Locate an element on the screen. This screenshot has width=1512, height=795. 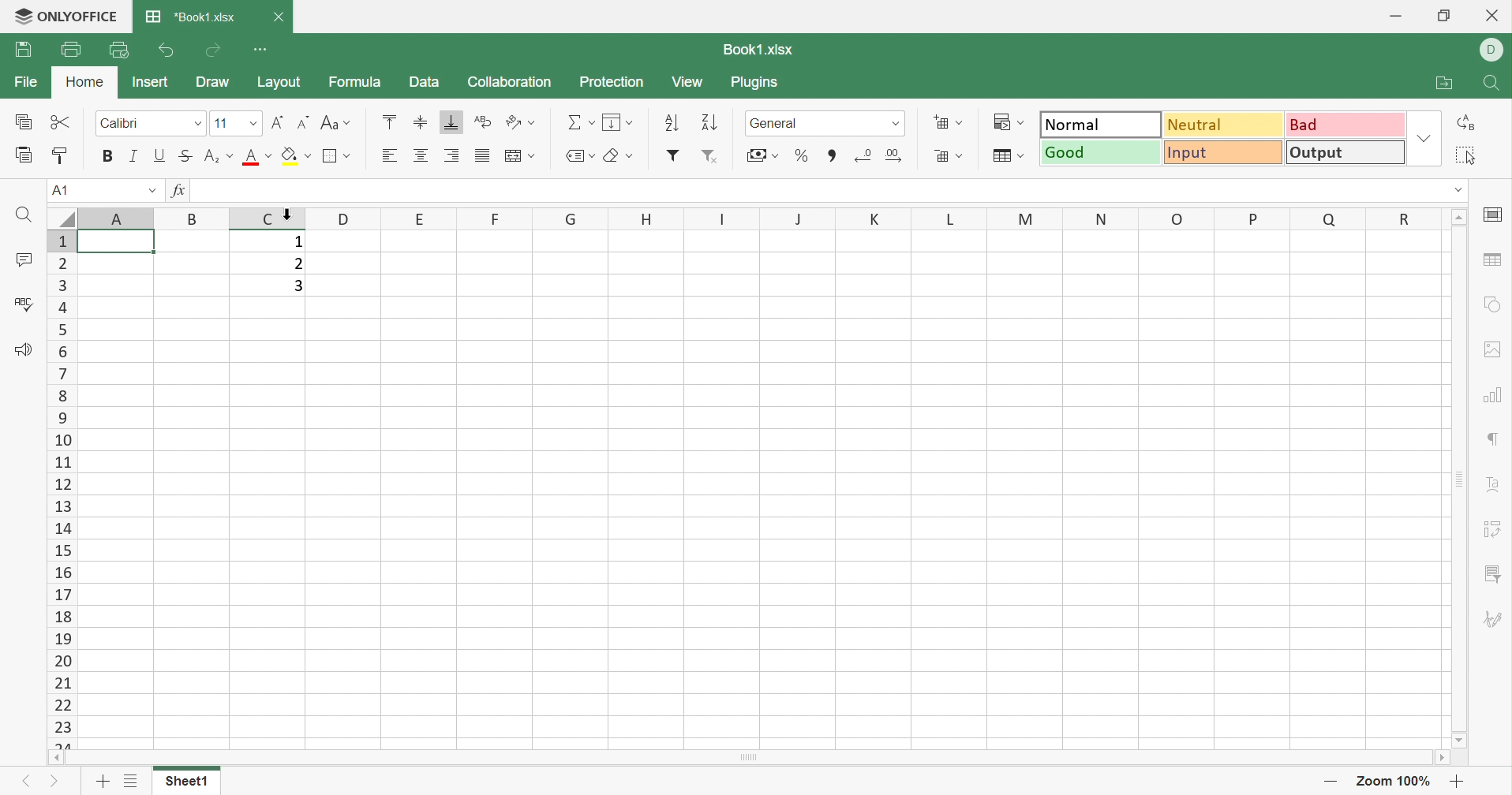
Drop Down is located at coordinates (345, 123).